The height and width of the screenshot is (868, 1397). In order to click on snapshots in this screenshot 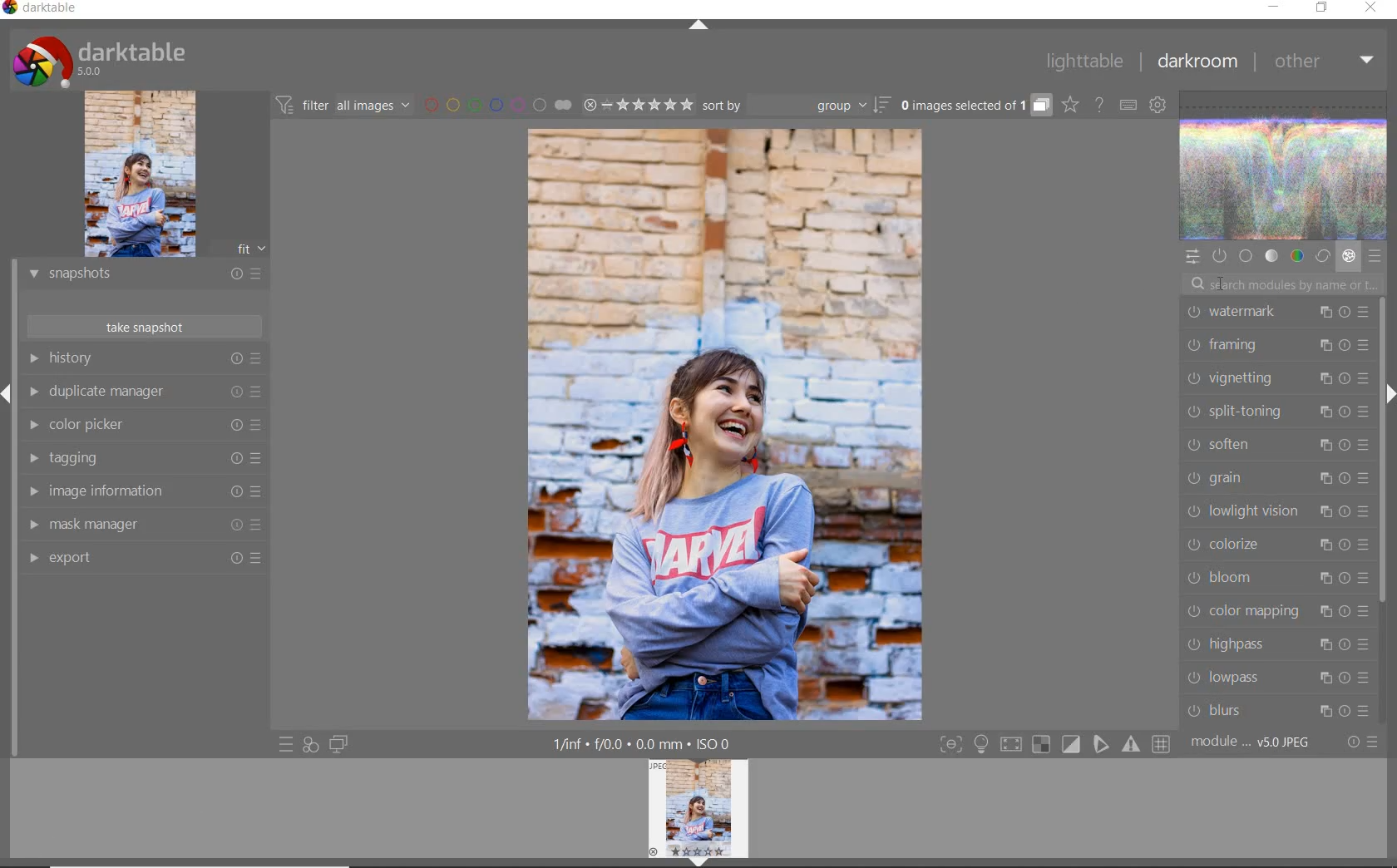, I will do `click(144, 277)`.